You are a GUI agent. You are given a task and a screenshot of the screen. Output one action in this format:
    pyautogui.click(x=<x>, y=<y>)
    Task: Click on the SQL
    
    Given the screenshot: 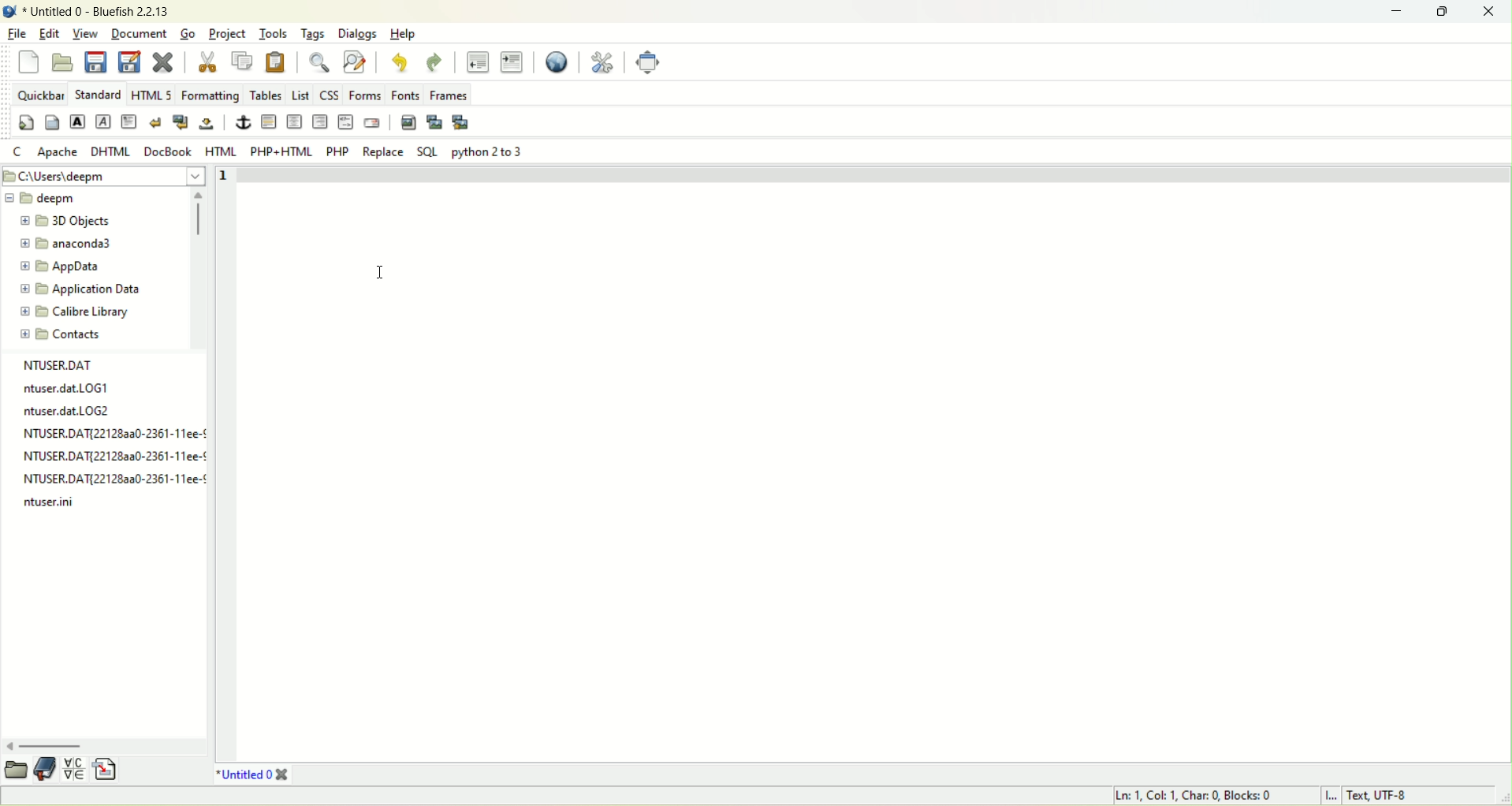 What is the action you would take?
    pyautogui.click(x=430, y=152)
    